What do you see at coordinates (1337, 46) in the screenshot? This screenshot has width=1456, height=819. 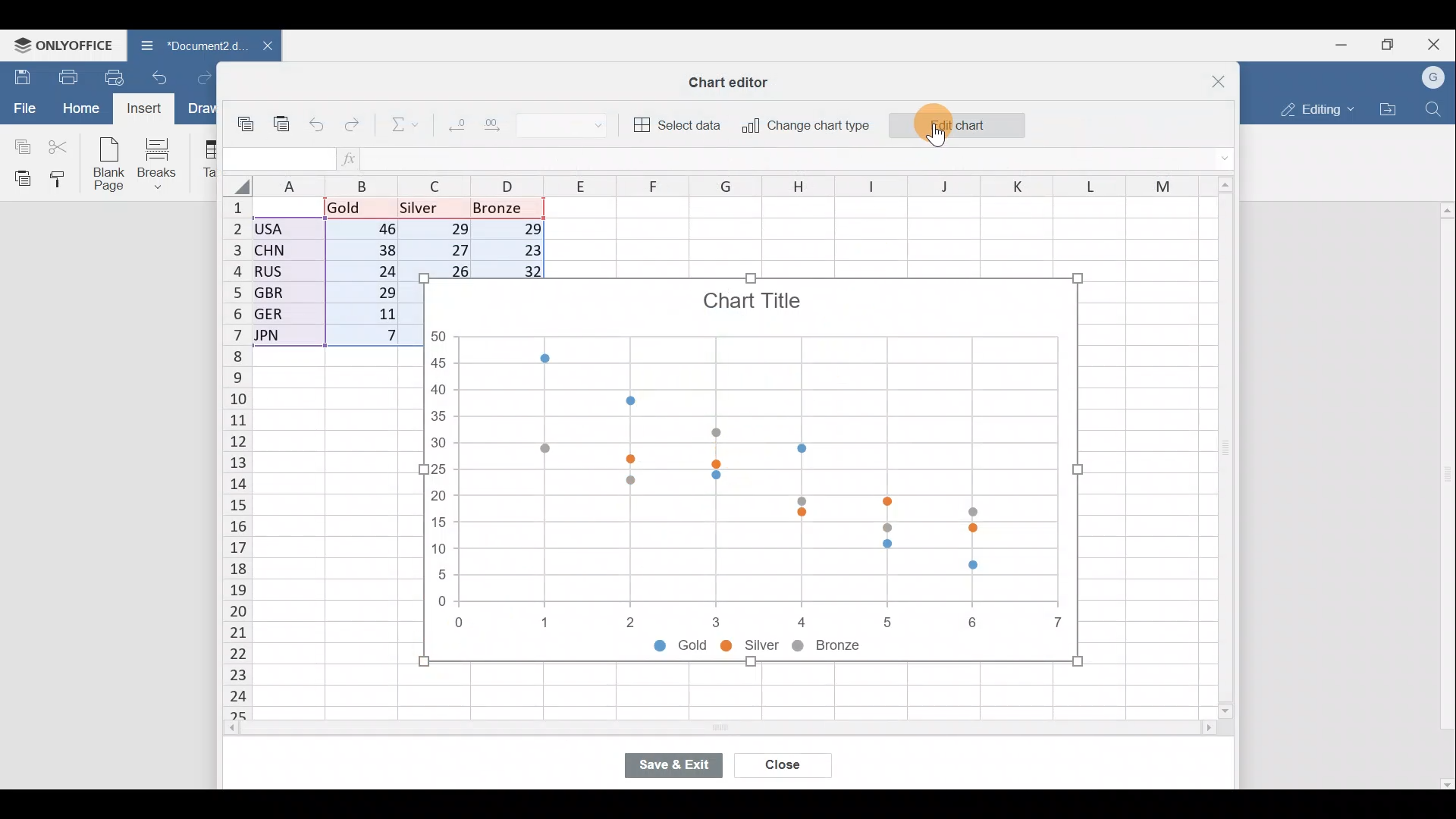 I see `Minimize` at bounding box center [1337, 46].